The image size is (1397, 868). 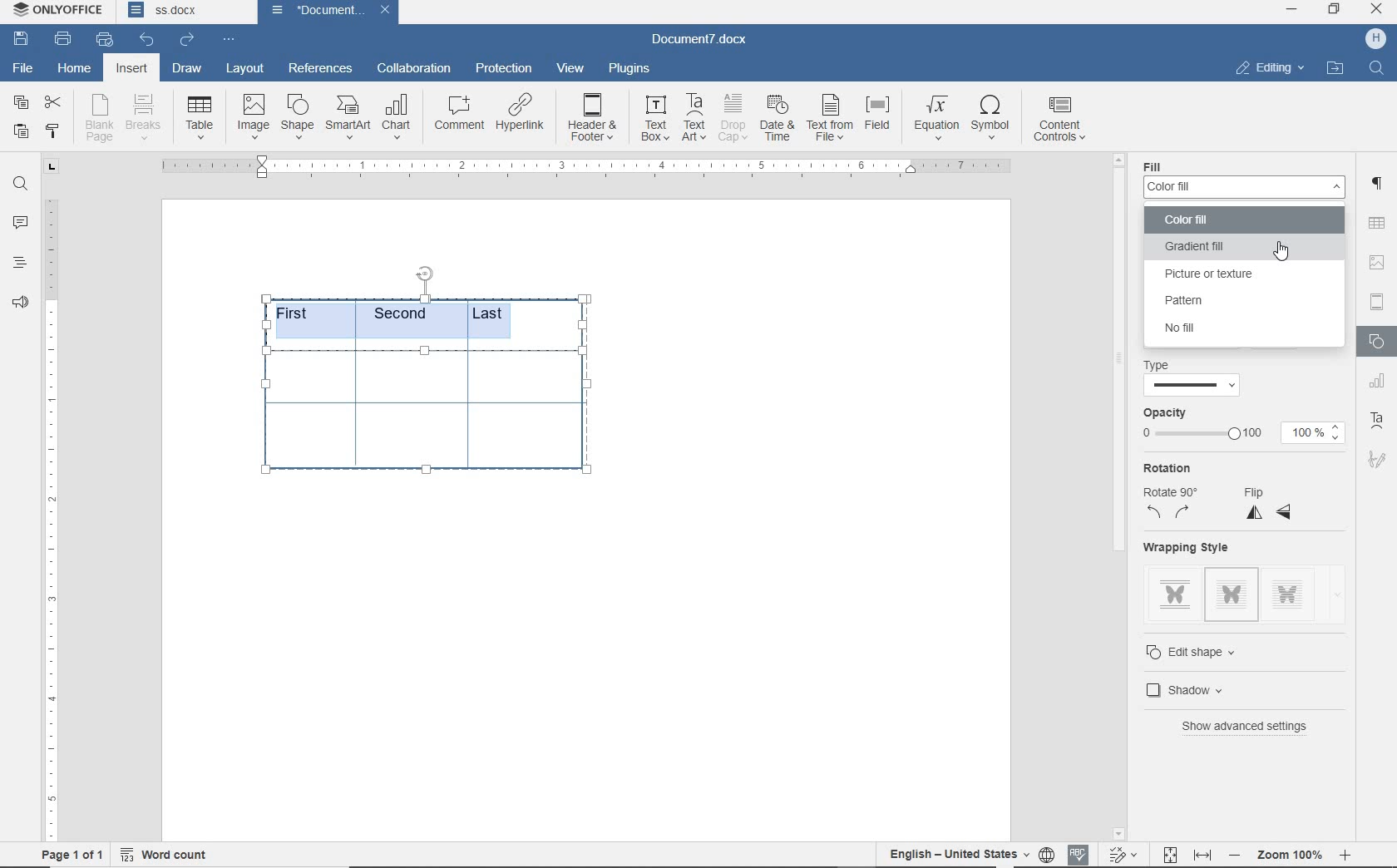 What do you see at coordinates (254, 117) in the screenshot?
I see `image` at bounding box center [254, 117].